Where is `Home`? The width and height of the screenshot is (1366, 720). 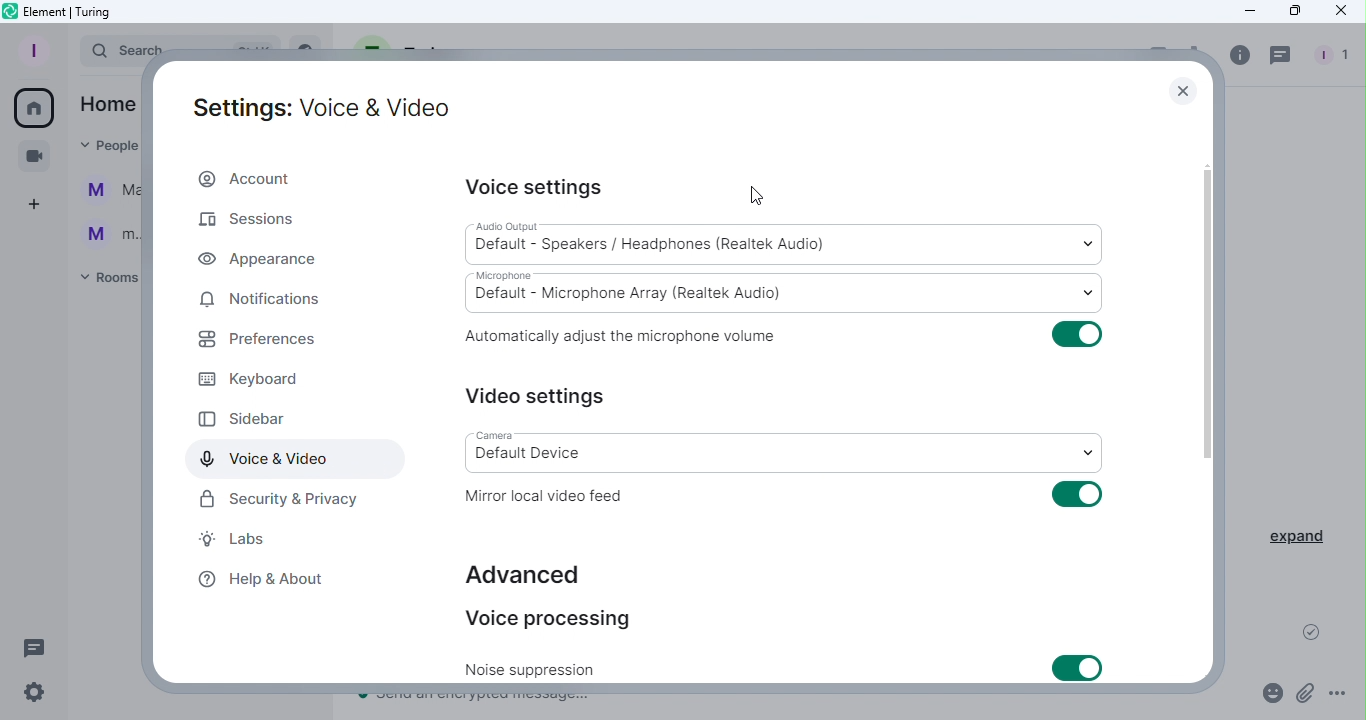 Home is located at coordinates (110, 104).